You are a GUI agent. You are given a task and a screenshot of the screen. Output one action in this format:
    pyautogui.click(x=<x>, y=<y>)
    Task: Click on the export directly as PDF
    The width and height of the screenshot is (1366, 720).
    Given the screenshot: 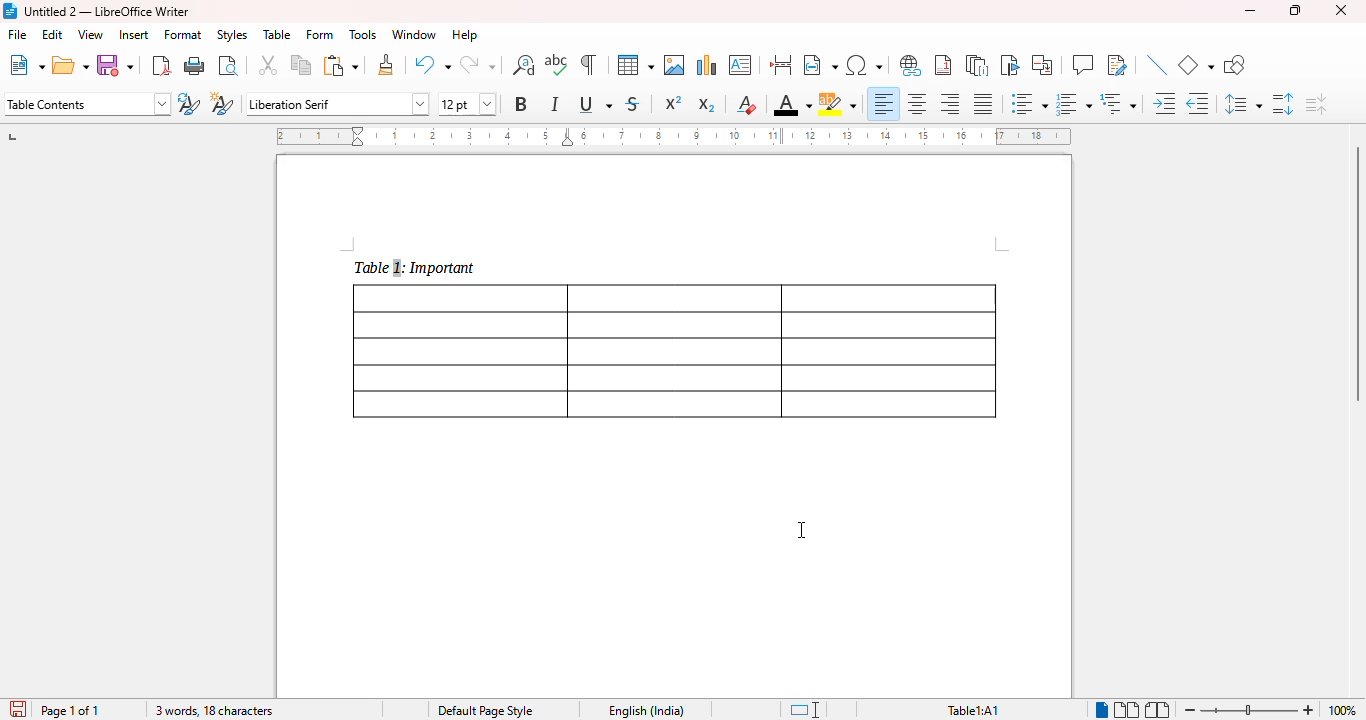 What is the action you would take?
    pyautogui.click(x=161, y=66)
    